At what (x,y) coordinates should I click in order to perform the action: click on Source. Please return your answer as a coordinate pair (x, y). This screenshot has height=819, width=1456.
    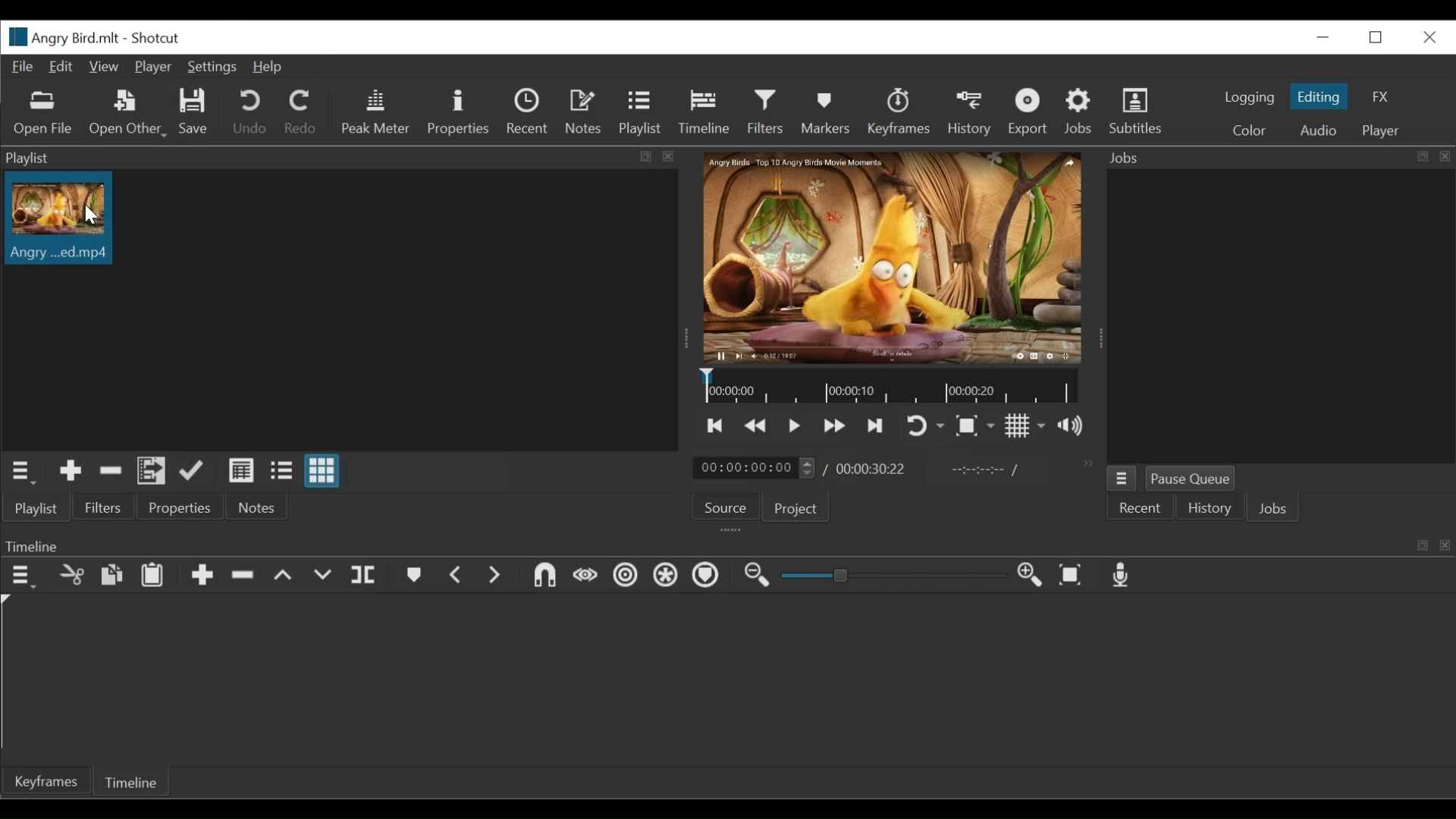
    Looking at the image, I should click on (729, 506).